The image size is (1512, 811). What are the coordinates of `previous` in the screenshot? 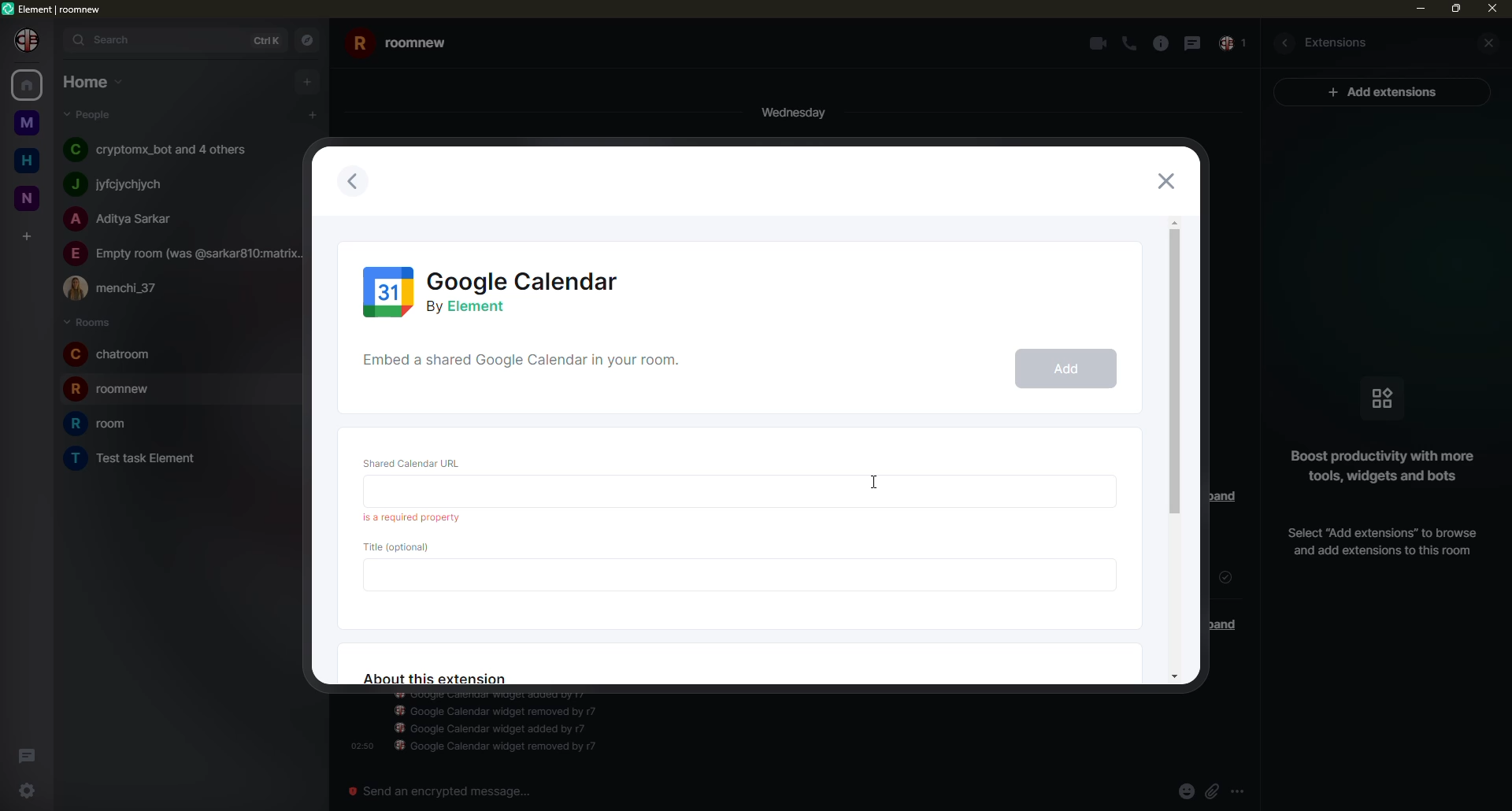 It's located at (358, 183).